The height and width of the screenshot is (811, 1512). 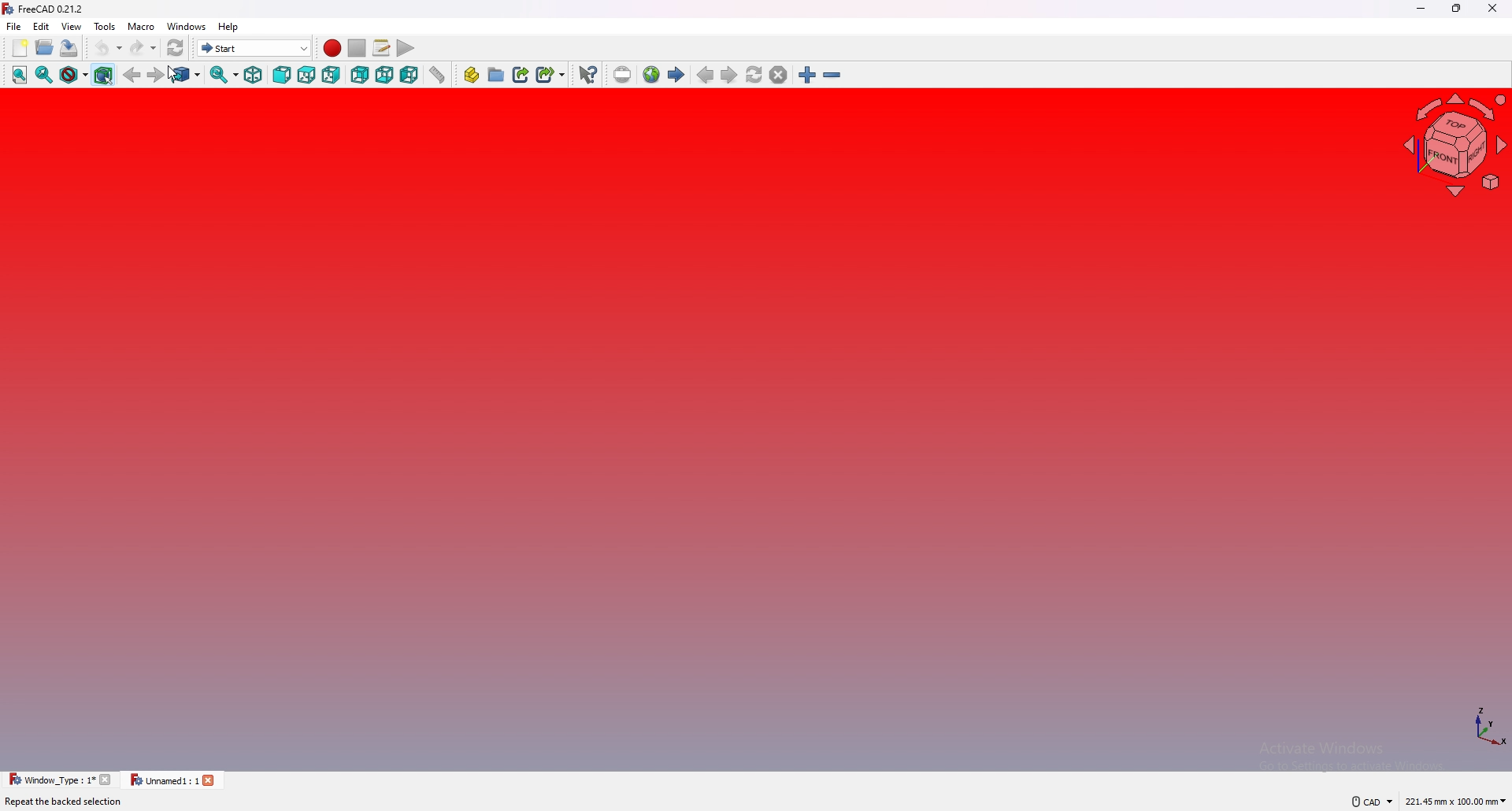 What do you see at coordinates (144, 47) in the screenshot?
I see `redo` at bounding box center [144, 47].